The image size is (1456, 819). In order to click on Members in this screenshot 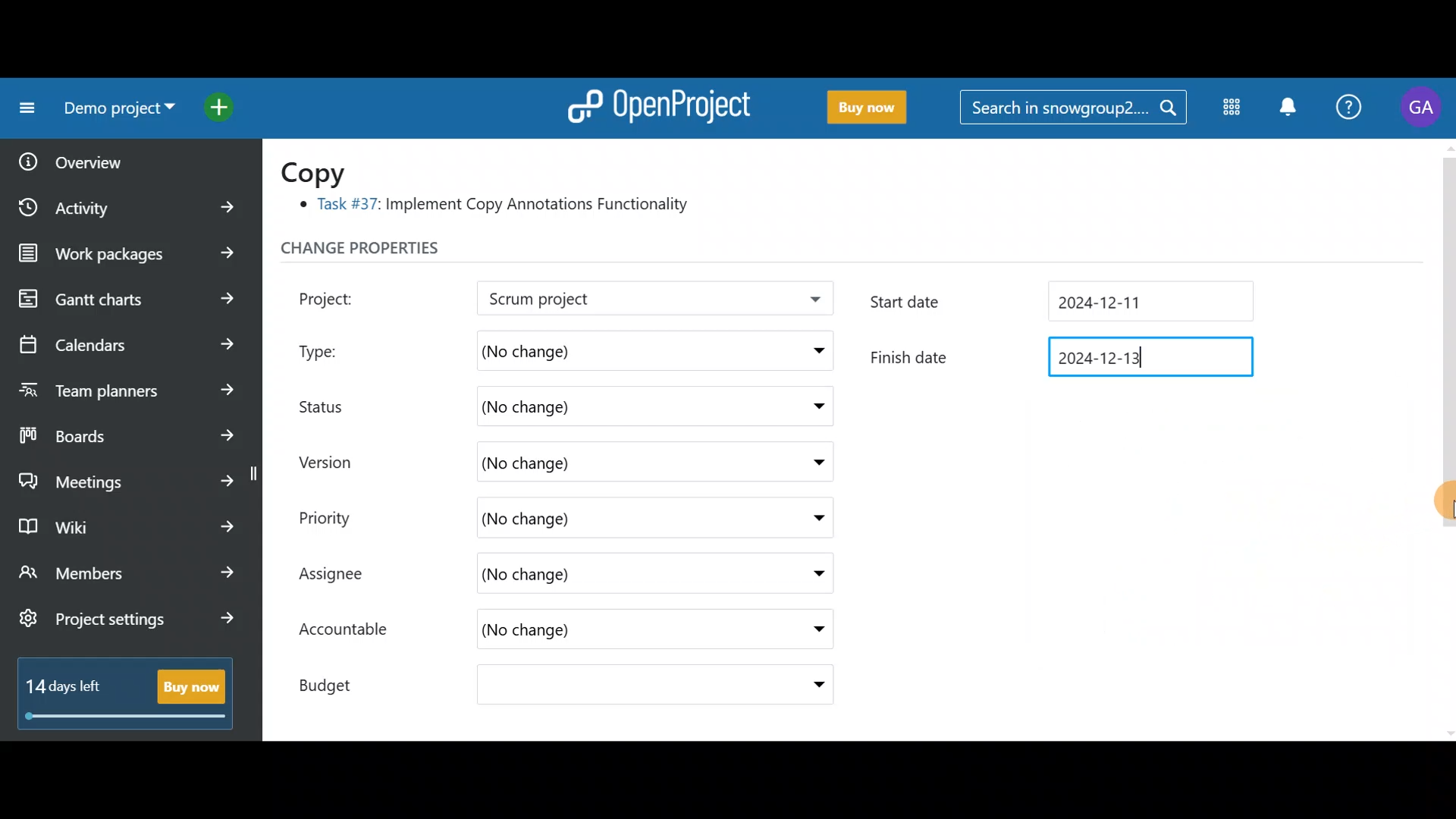, I will do `click(127, 575)`.